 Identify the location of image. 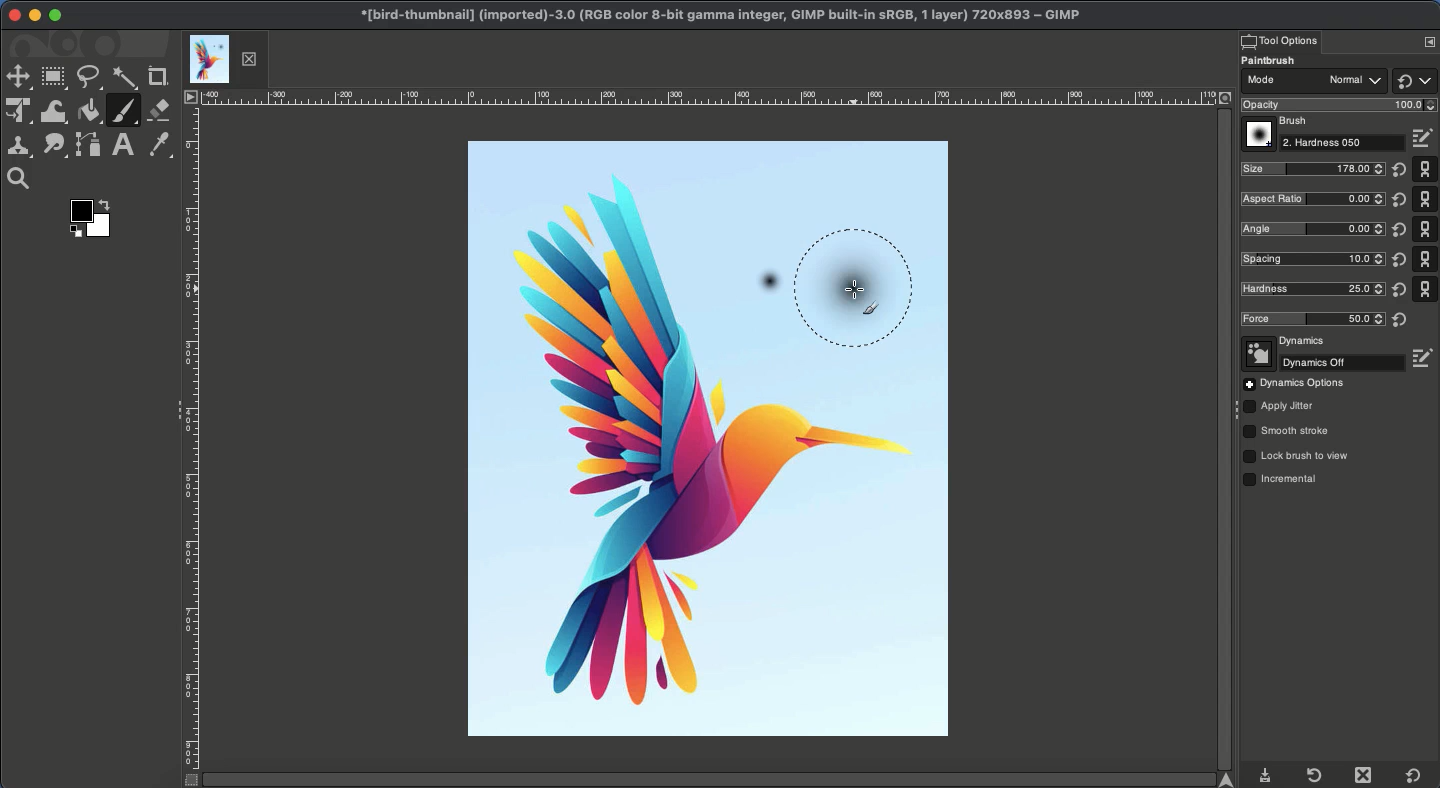
(600, 285).